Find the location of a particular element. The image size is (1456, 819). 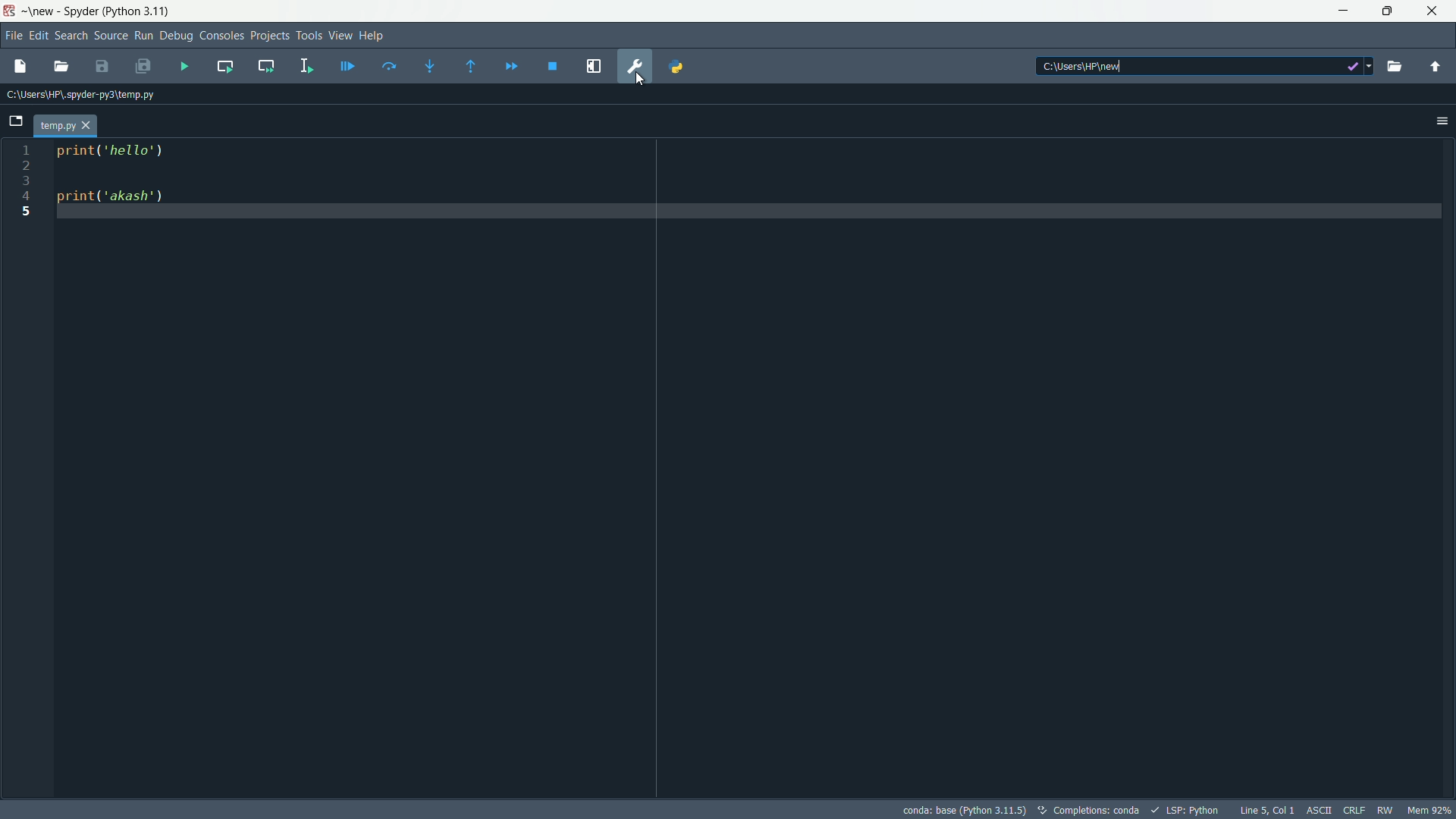

conda: base (Python 3.11.5) is located at coordinates (964, 809).